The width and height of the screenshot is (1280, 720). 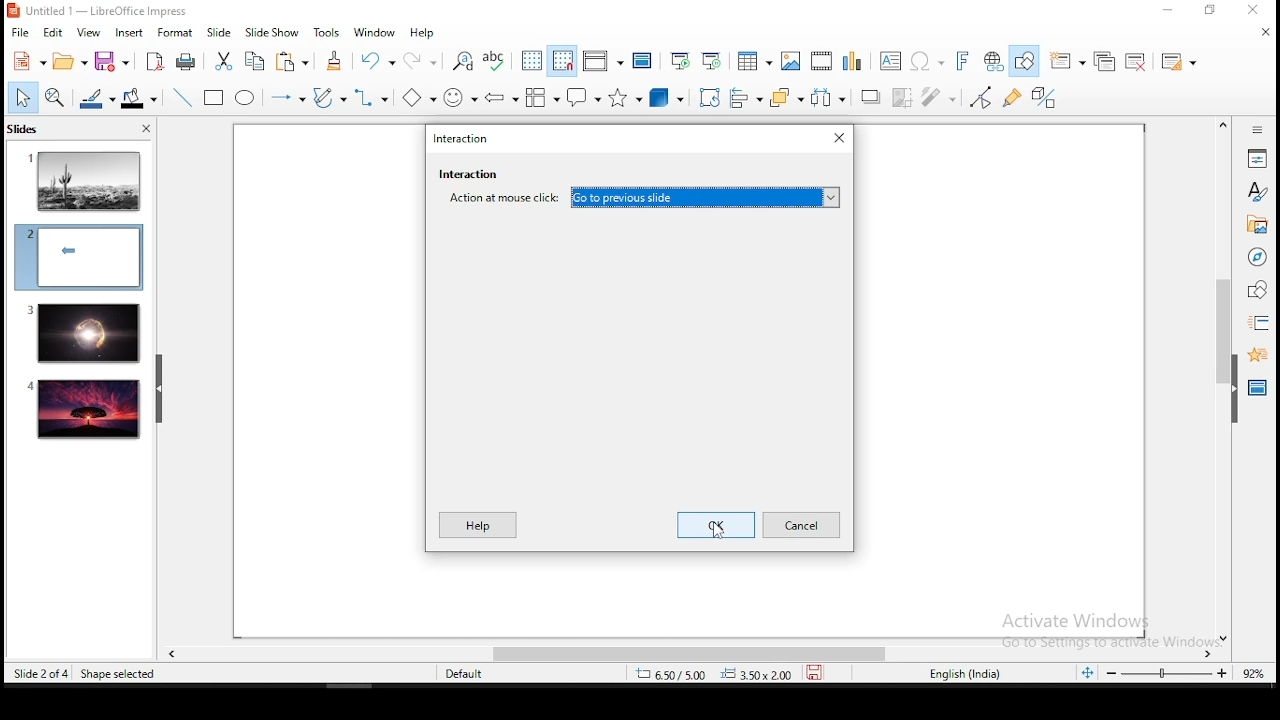 What do you see at coordinates (1211, 11) in the screenshot?
I see `restore` at bounding box center [1211, 11].